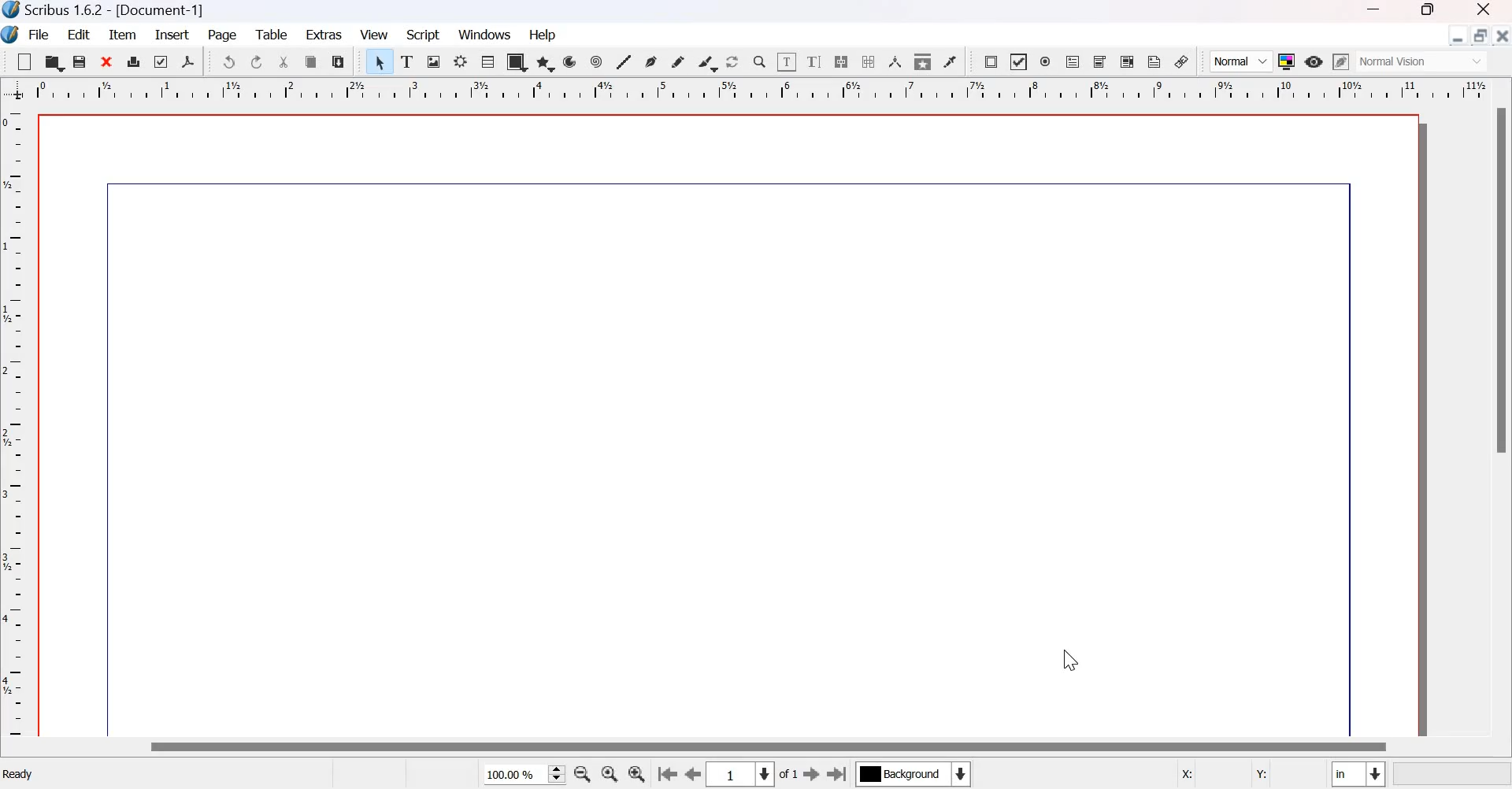 This screenshot has width=1512, height=789. What do you see at coordinates (20, 62) in the screenshot?
I see `New` at bounding box center [20, 62].